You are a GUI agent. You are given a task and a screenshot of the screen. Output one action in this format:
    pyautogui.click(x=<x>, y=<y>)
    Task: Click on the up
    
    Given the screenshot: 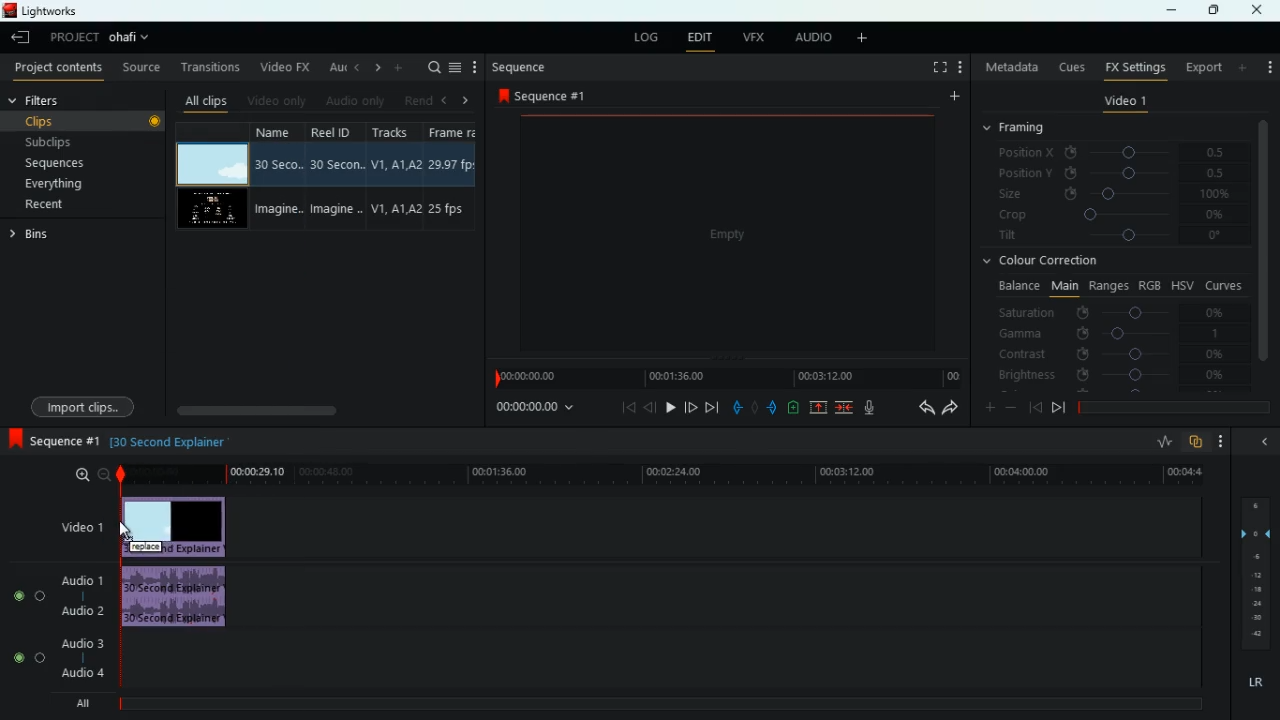 What is the action you would take?
    pyautogui.click(x=820, y=407)
    